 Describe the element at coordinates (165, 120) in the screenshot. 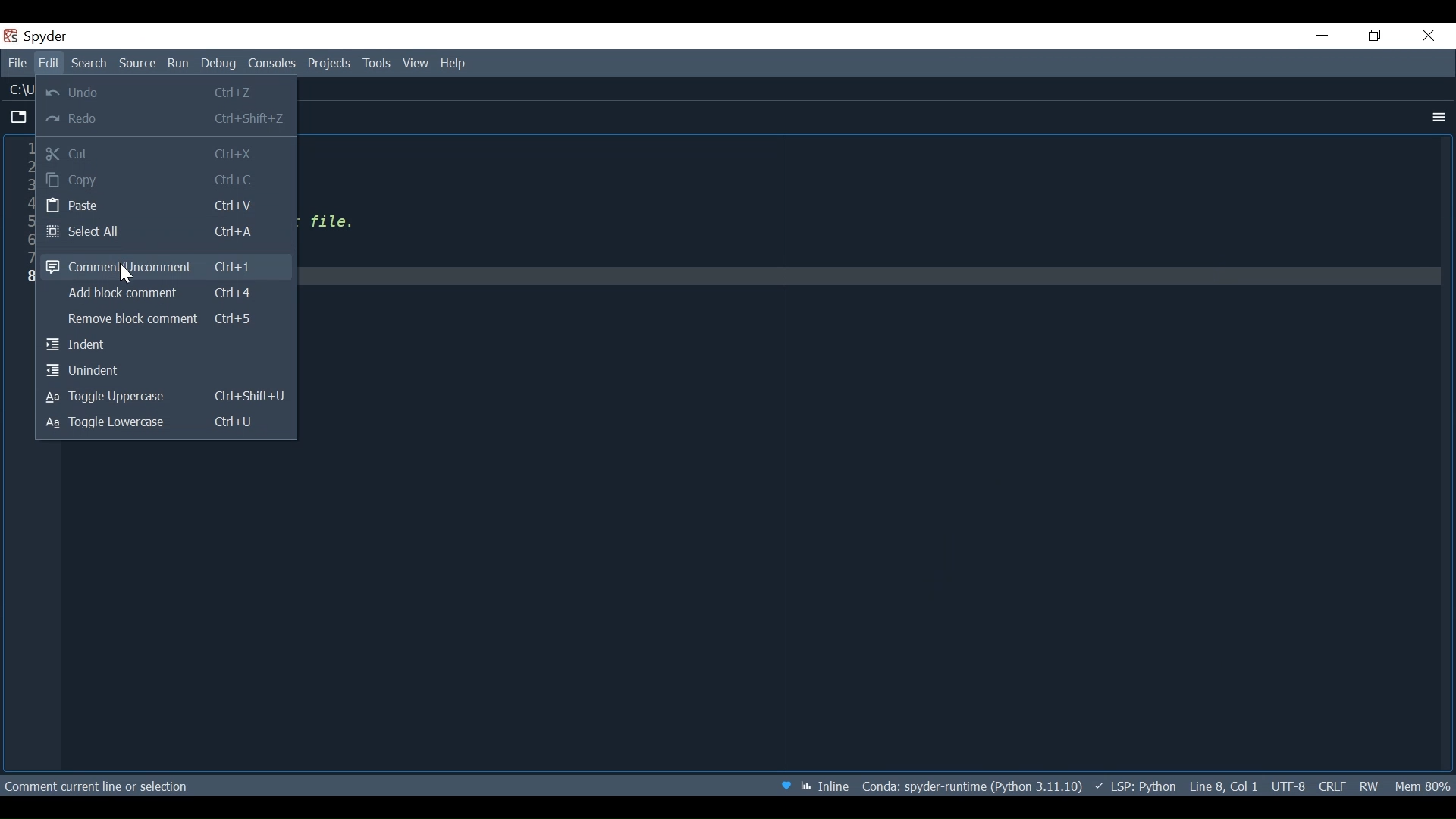

I see `Redo` at that location.